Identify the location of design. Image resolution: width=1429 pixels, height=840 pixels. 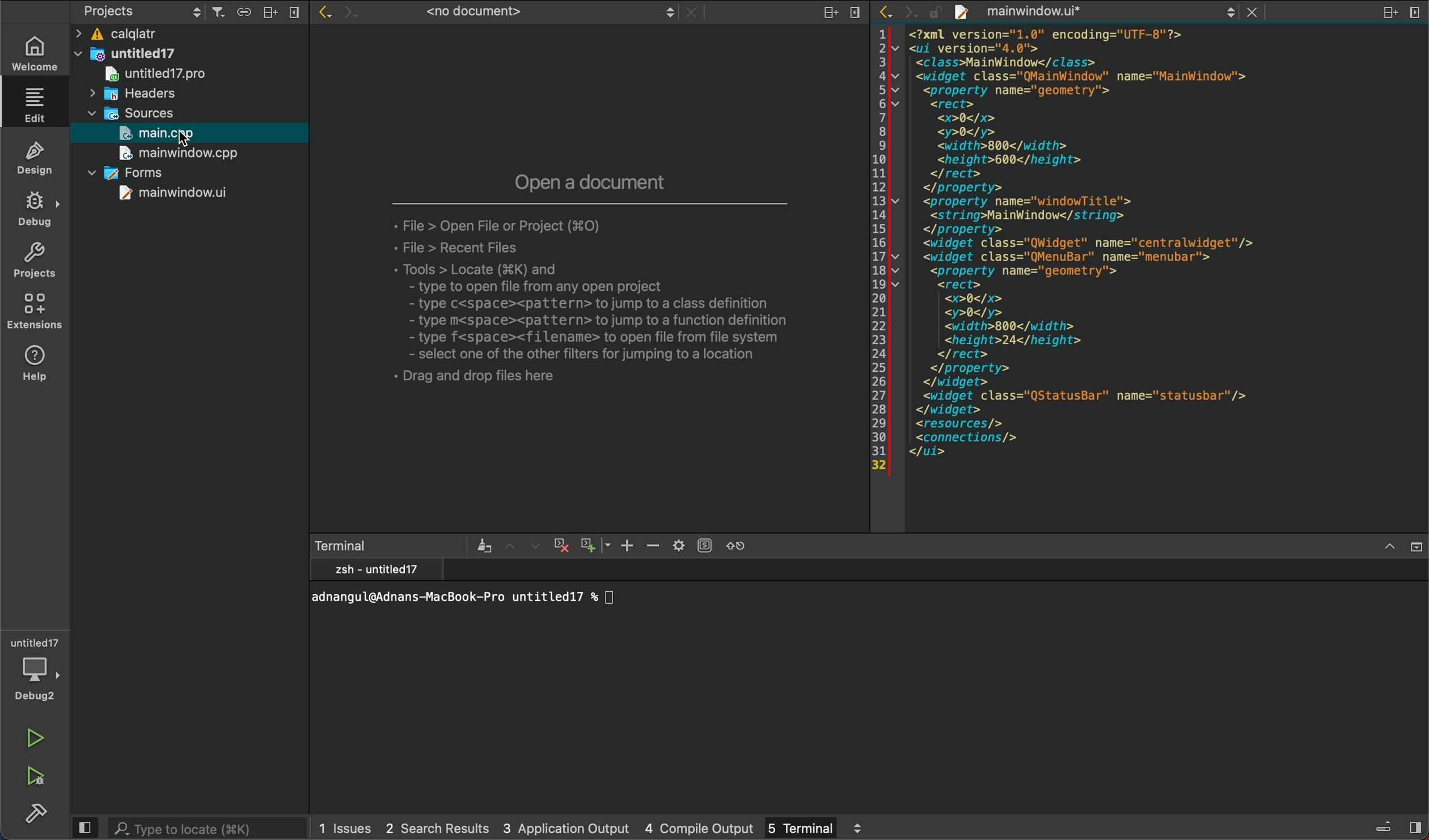
(36, 156).